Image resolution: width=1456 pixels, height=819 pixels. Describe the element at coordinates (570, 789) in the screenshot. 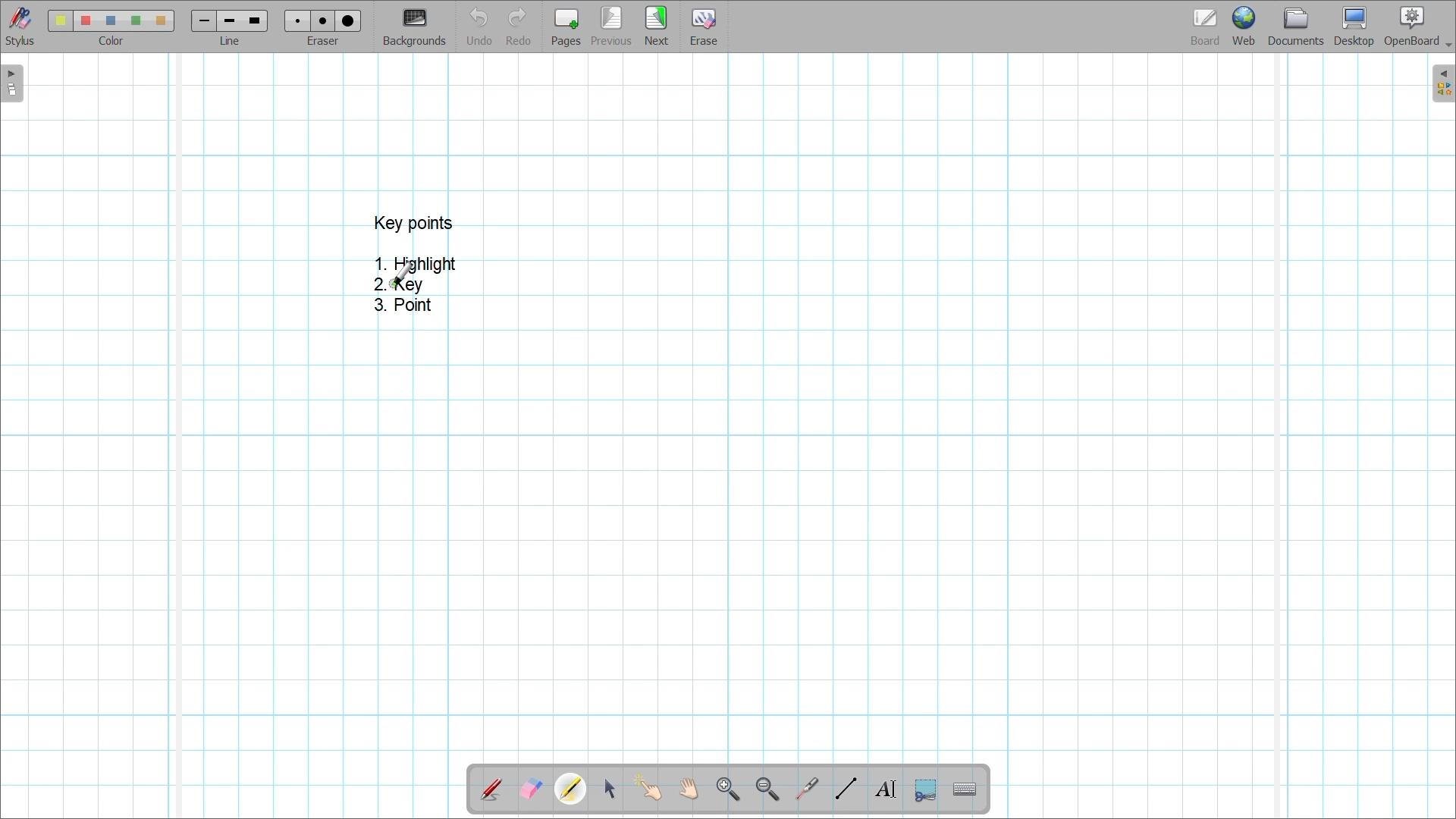

I see `Highlighter` at that location.